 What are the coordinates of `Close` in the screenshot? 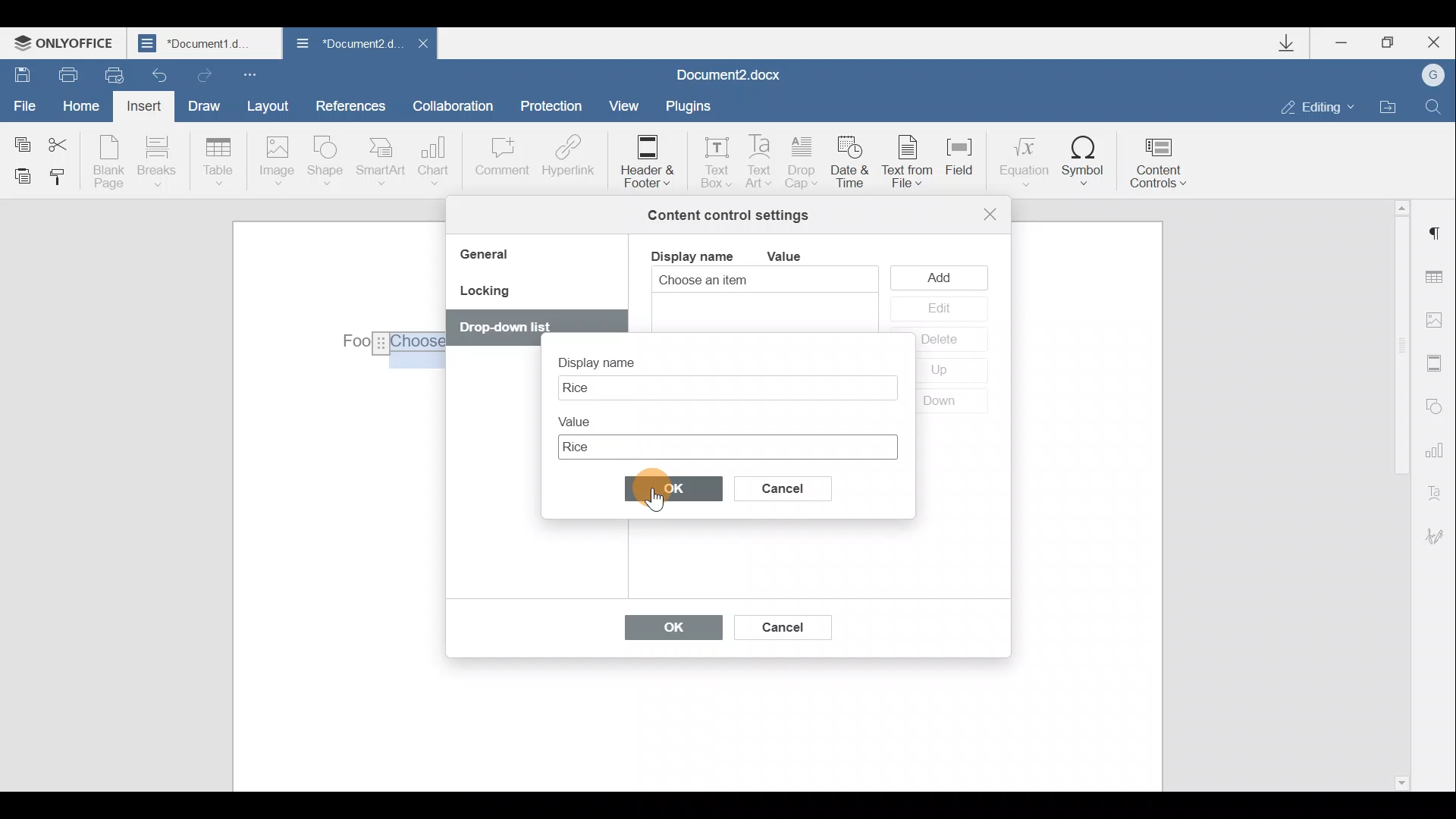 It's located at (1432, 42).